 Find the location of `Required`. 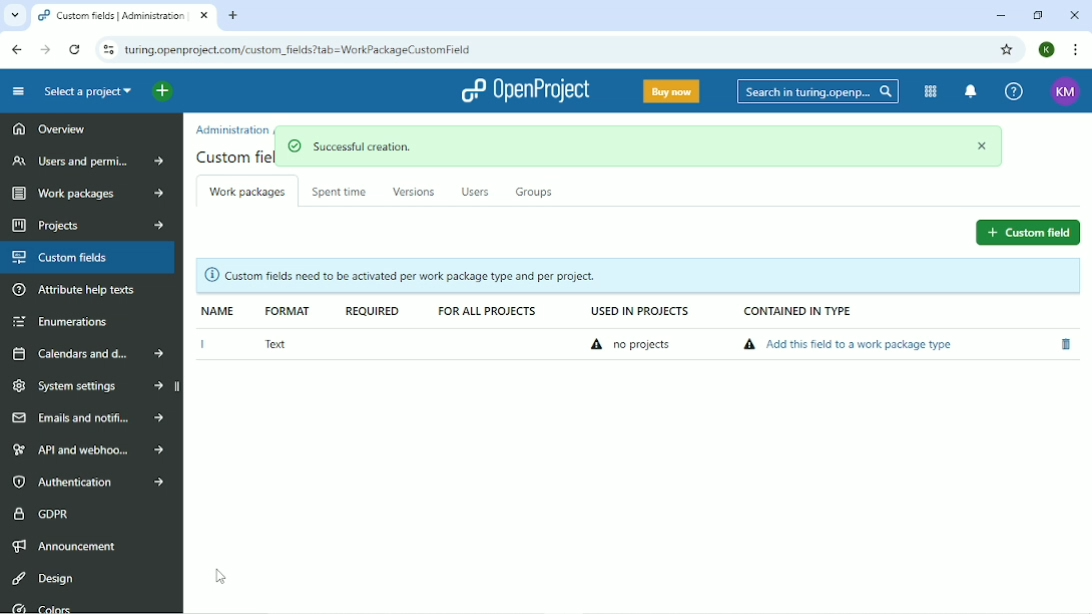

Required is located at coordinates (371, 310).